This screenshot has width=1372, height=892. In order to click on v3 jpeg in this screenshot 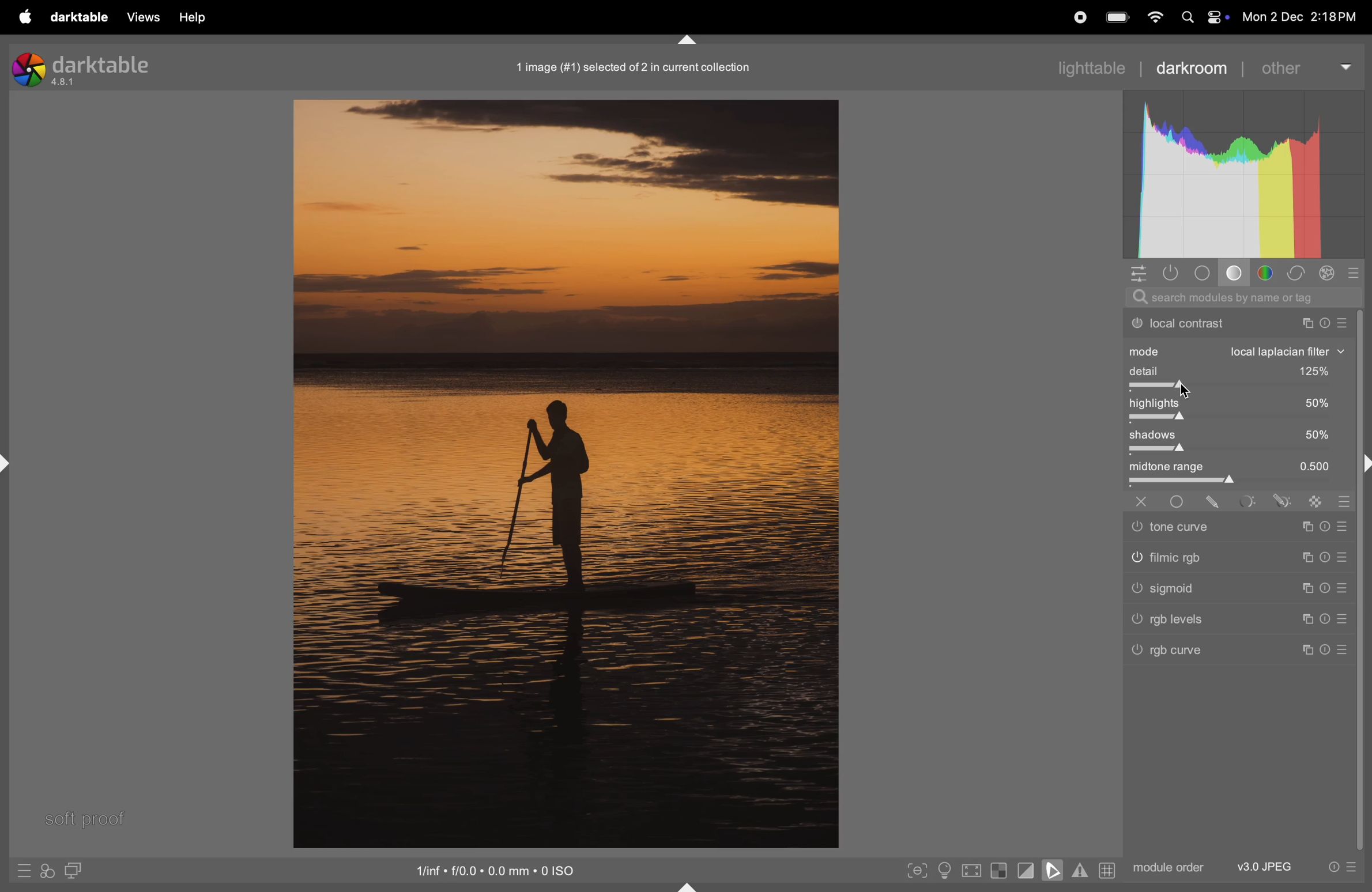, I will do `click(1262, 867)`.